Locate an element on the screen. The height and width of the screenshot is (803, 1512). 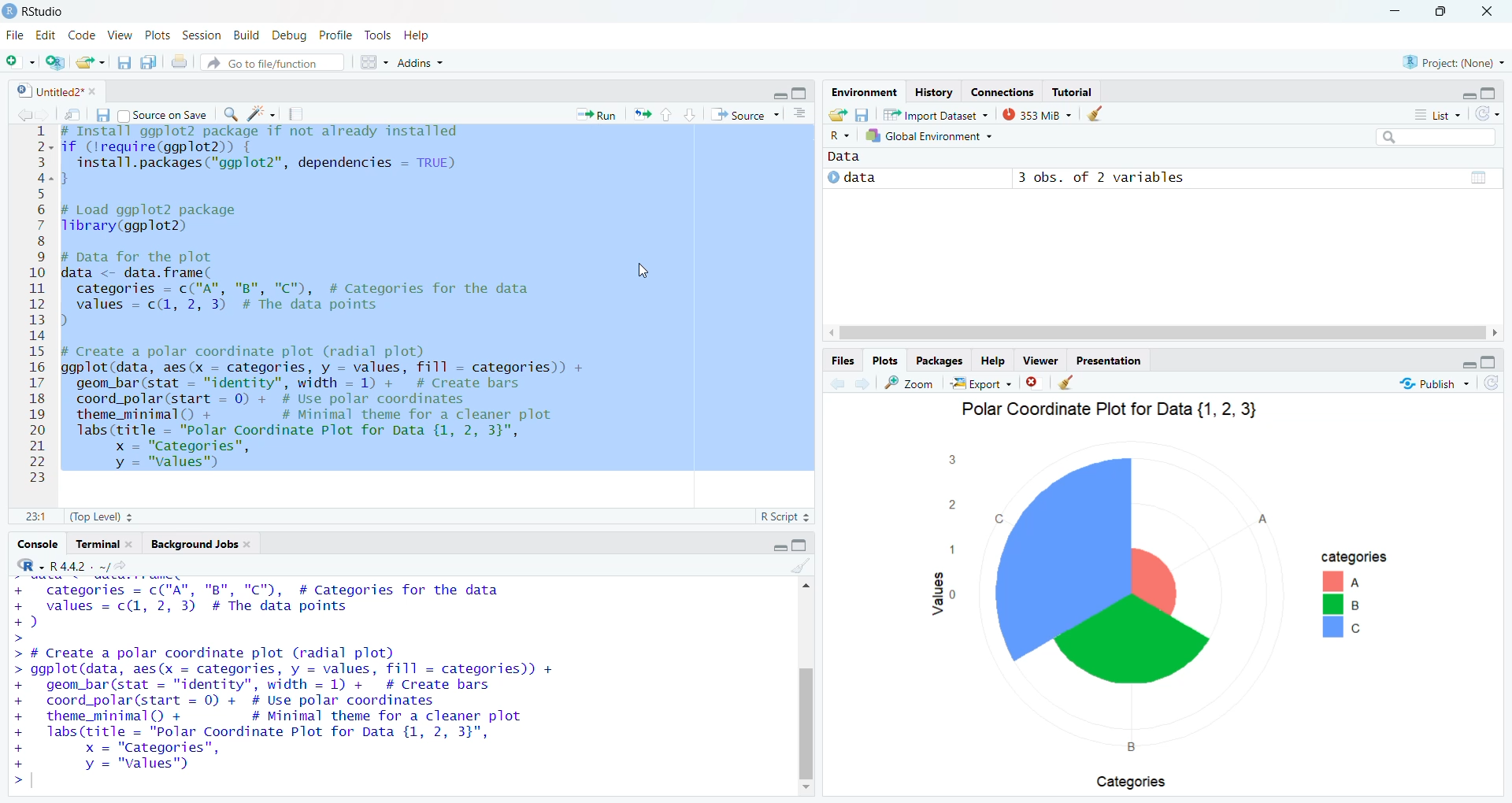
show in new window is located at coordinates (70, 113).